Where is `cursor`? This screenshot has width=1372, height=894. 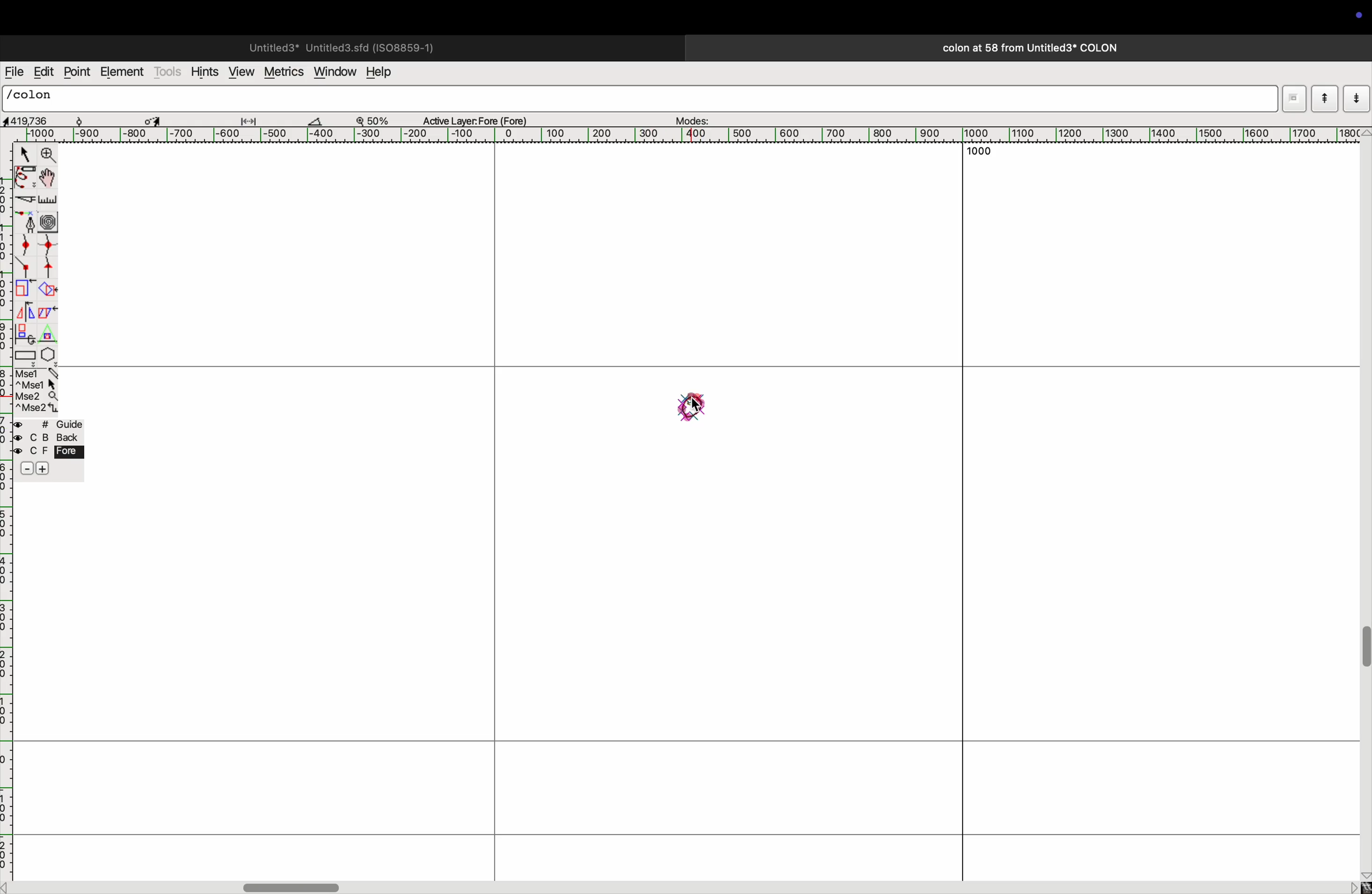
cursor is located at coordinates (702, 410).